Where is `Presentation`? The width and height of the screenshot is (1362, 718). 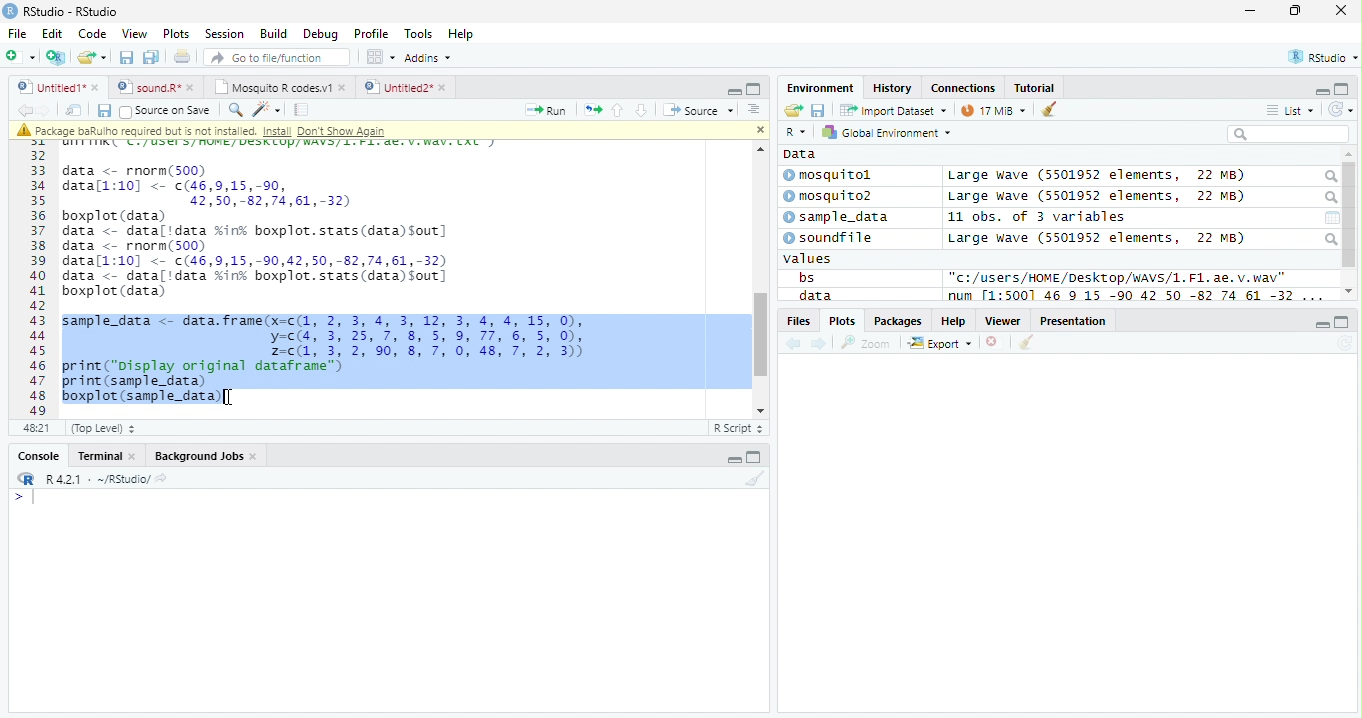
Presentation is located at coordinates (1073, 320).